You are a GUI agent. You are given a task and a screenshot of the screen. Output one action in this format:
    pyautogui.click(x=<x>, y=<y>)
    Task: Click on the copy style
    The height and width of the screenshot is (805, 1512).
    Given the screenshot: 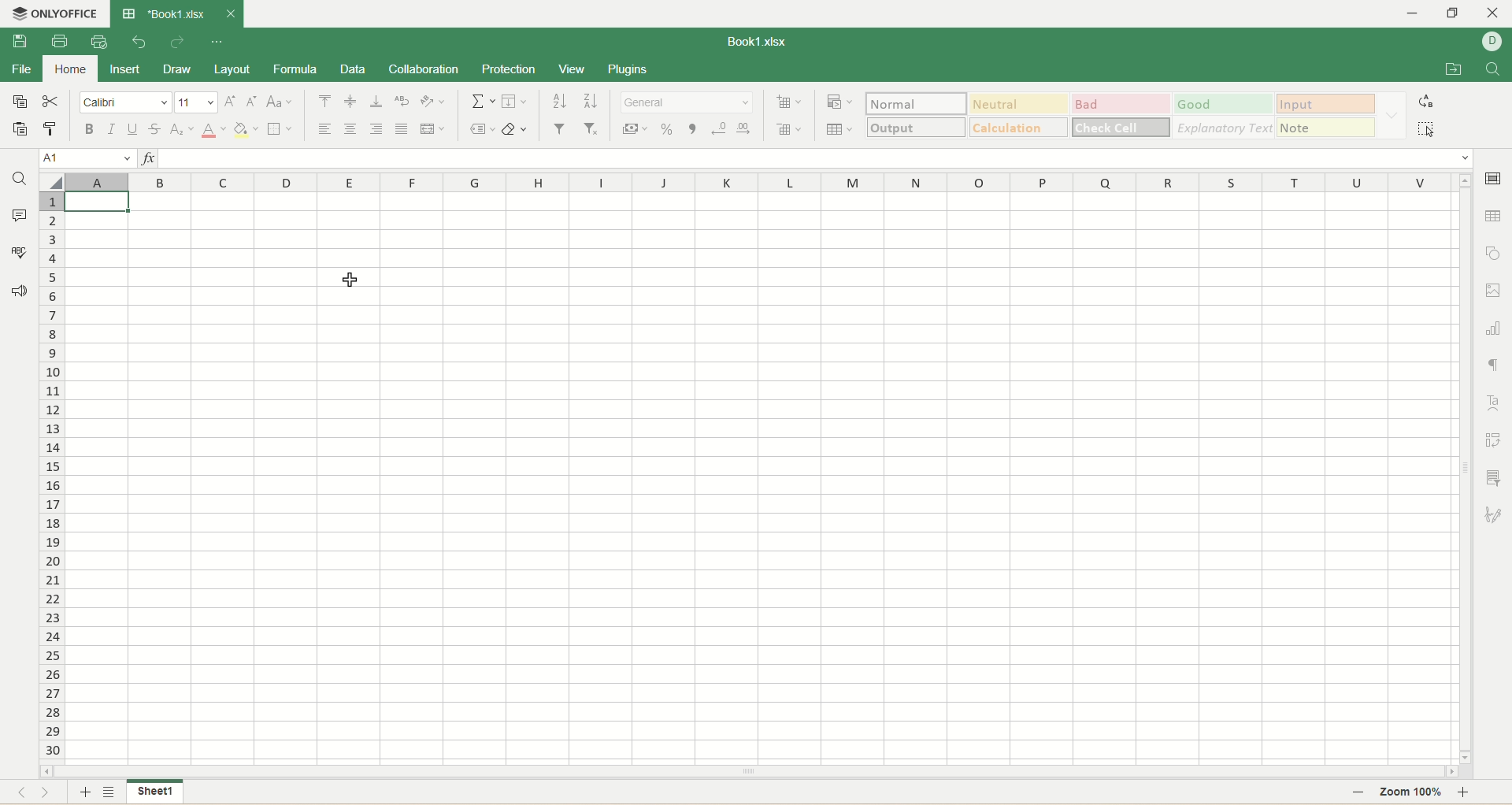 What is the action you would take?
    pyautogui.click(x=53, y=130)
    